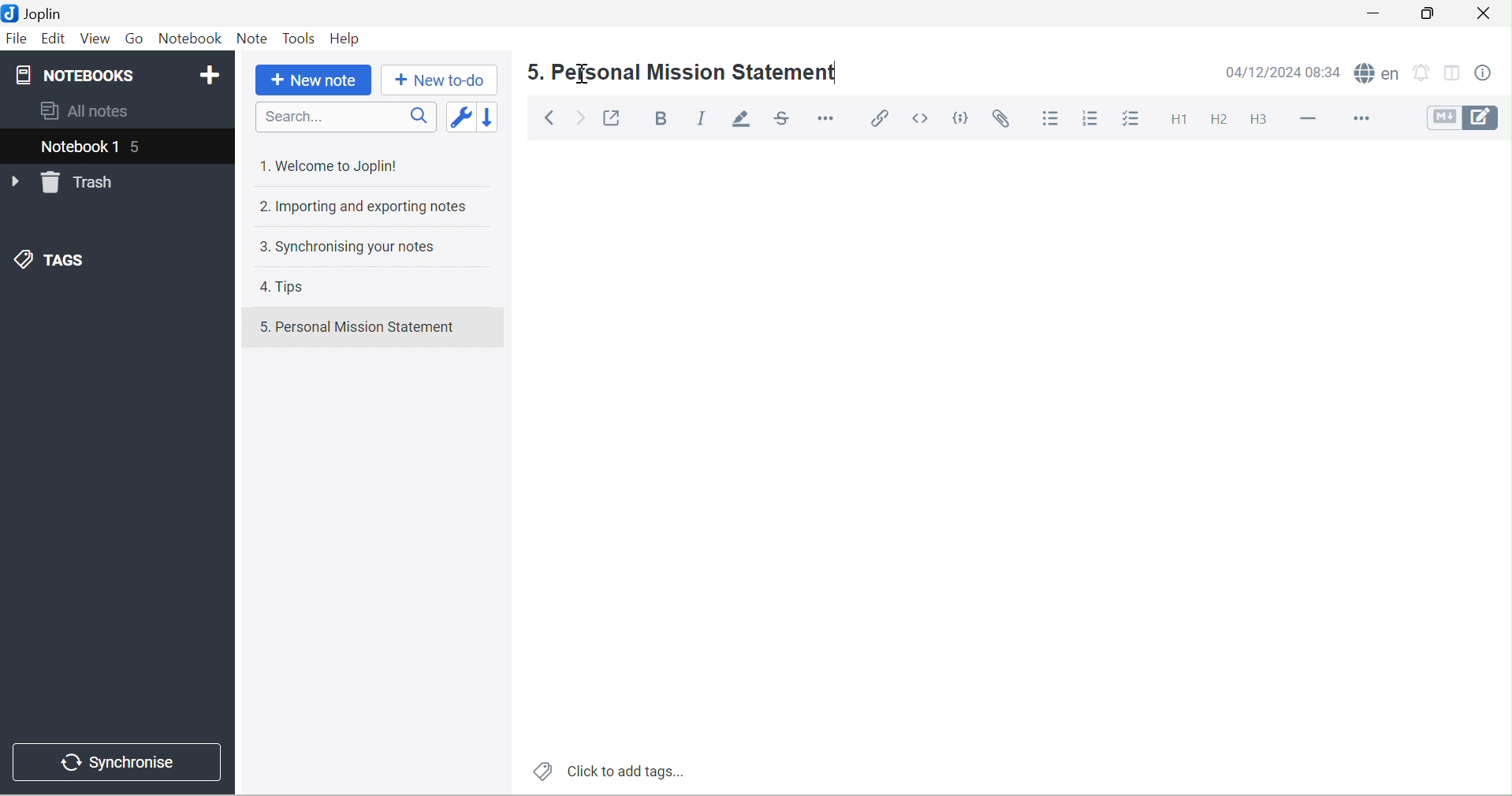 The image size is (1512, 796). Describe the element at coordinates (1371, 15) in the screenshot. I see `Minimize` at that location.